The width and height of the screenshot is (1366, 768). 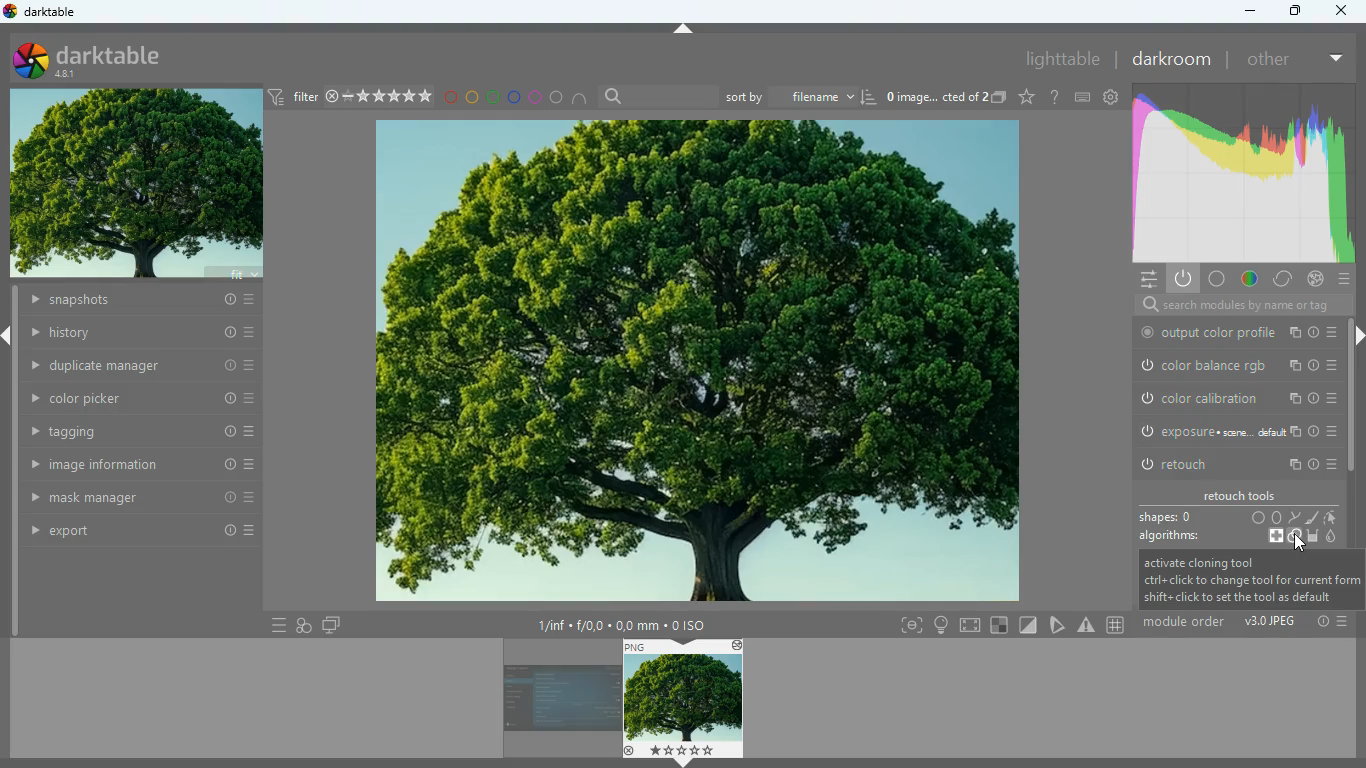 I want to click on copy, so click(x=998, y=97).